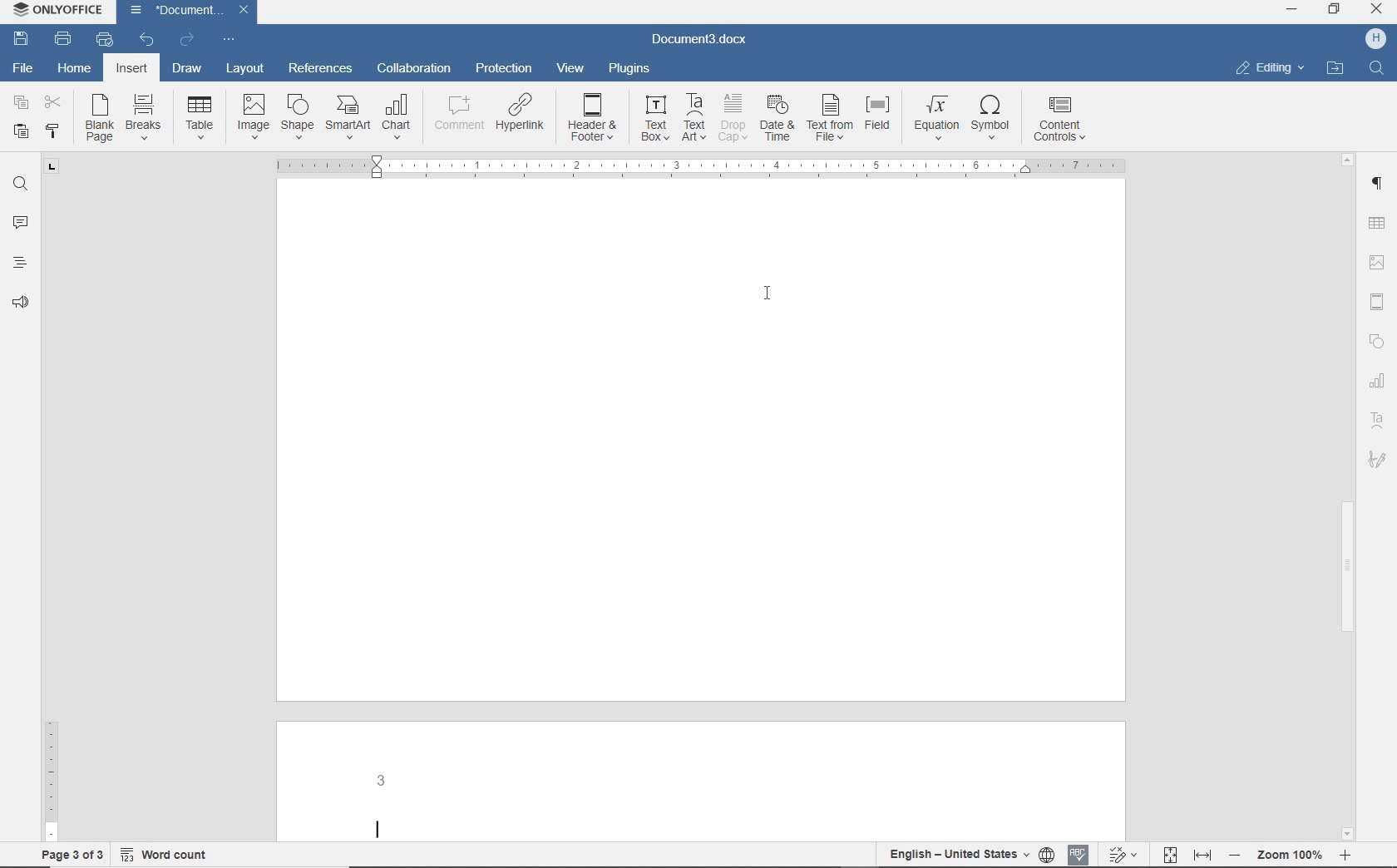 This screenshot has height=868, width=1397. Describe the element at coordinates (994, 116) in the screenshot. I see `SYMBOL` at that location.